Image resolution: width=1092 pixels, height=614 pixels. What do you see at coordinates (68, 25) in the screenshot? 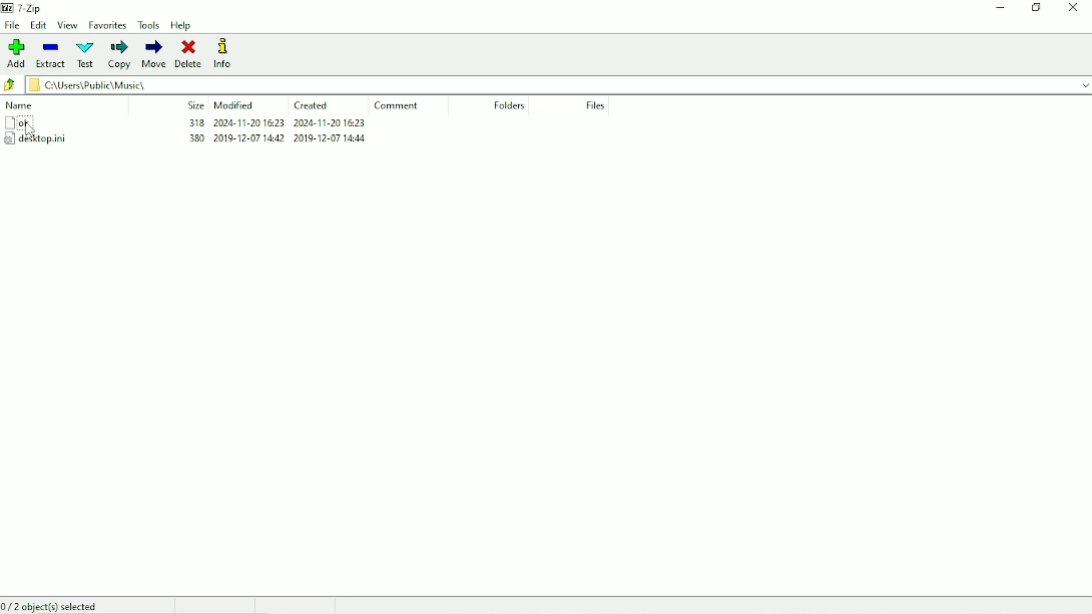
I see `View` at bounding box center [68, 25].